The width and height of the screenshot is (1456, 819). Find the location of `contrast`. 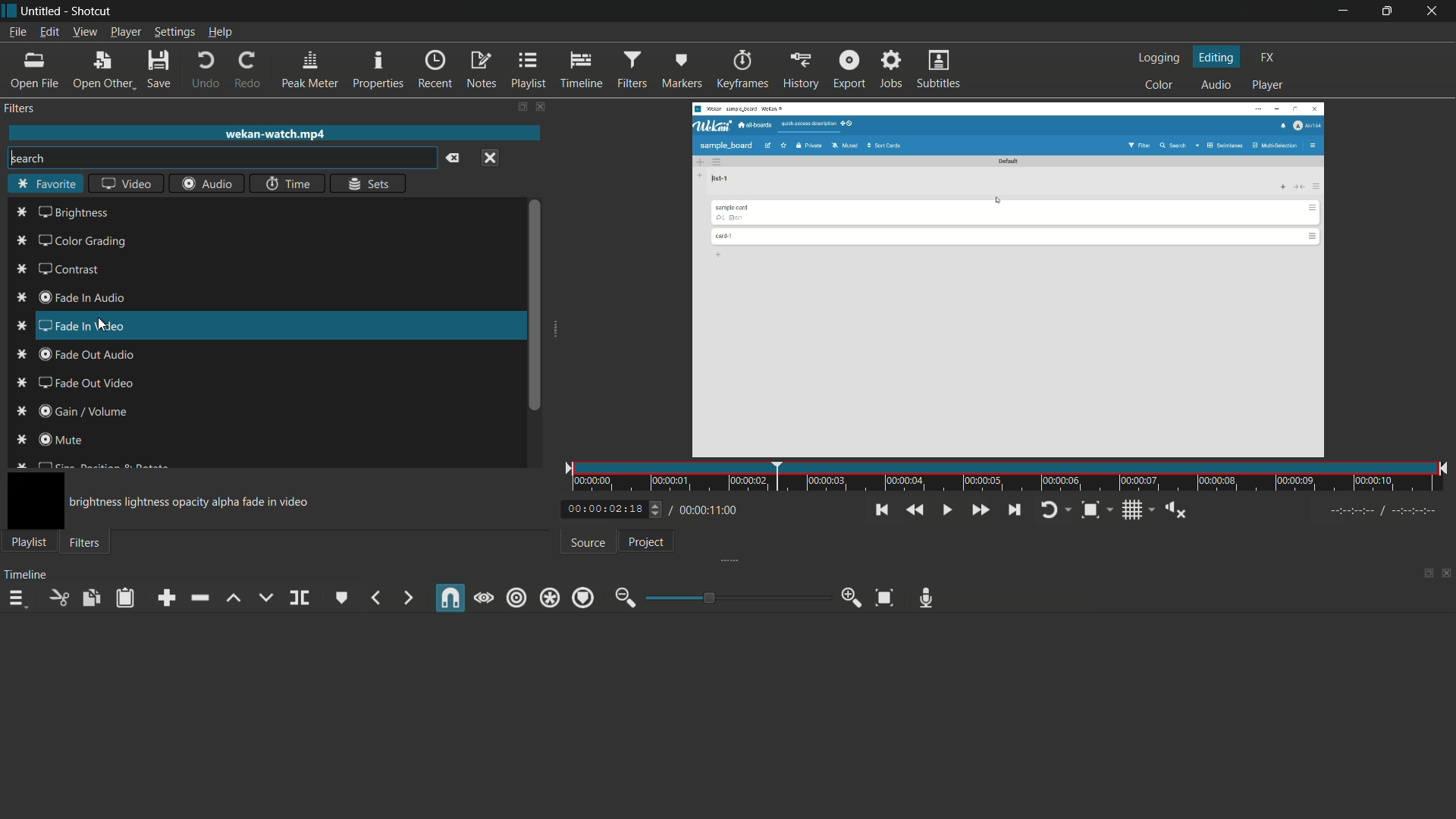

contrast is located at coordinates (57, 269).